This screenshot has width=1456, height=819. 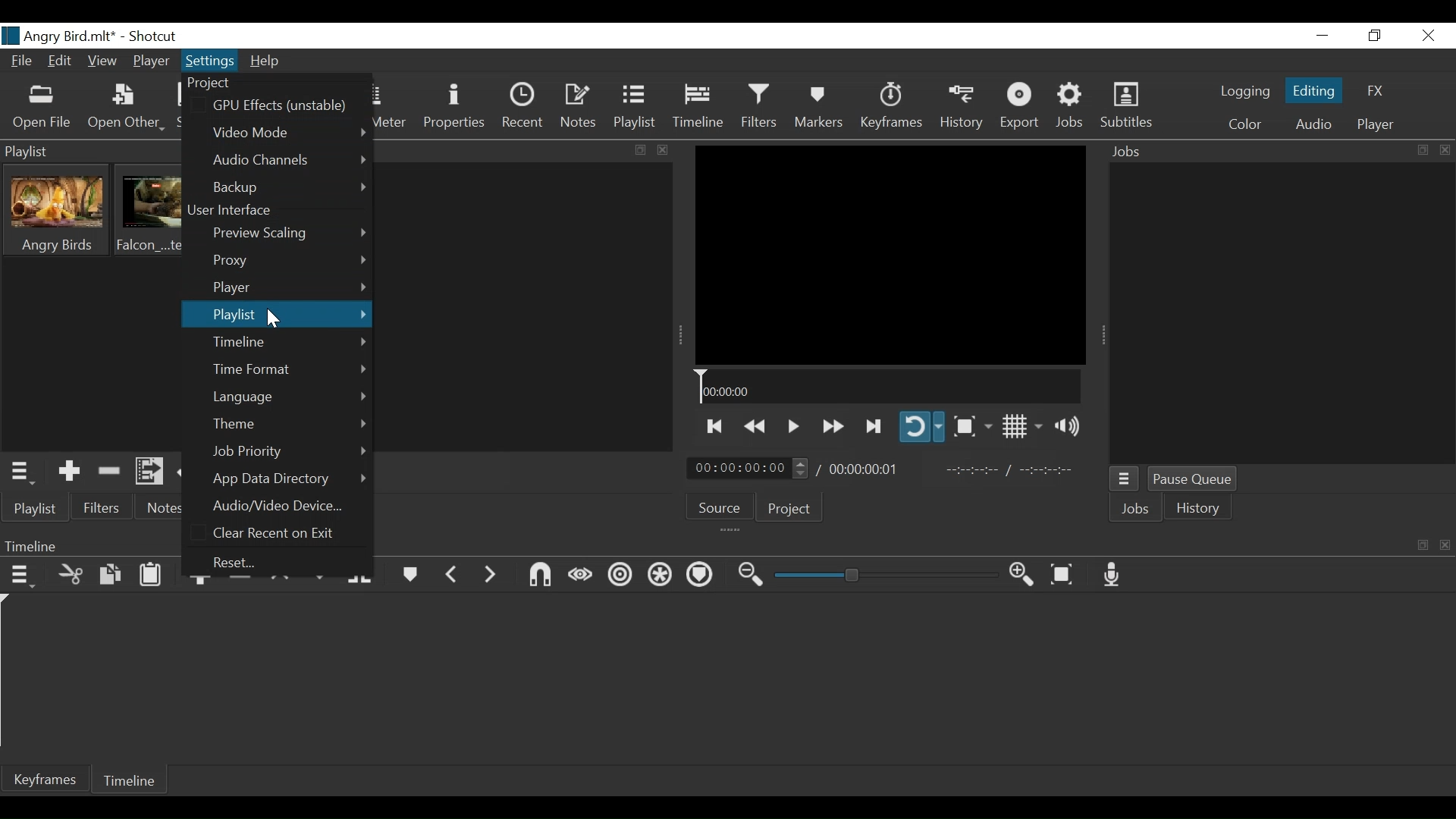 What do you see at coordinates (522, 108) in the screenshot?
I see `Recent` at bounding box center [522, 108].